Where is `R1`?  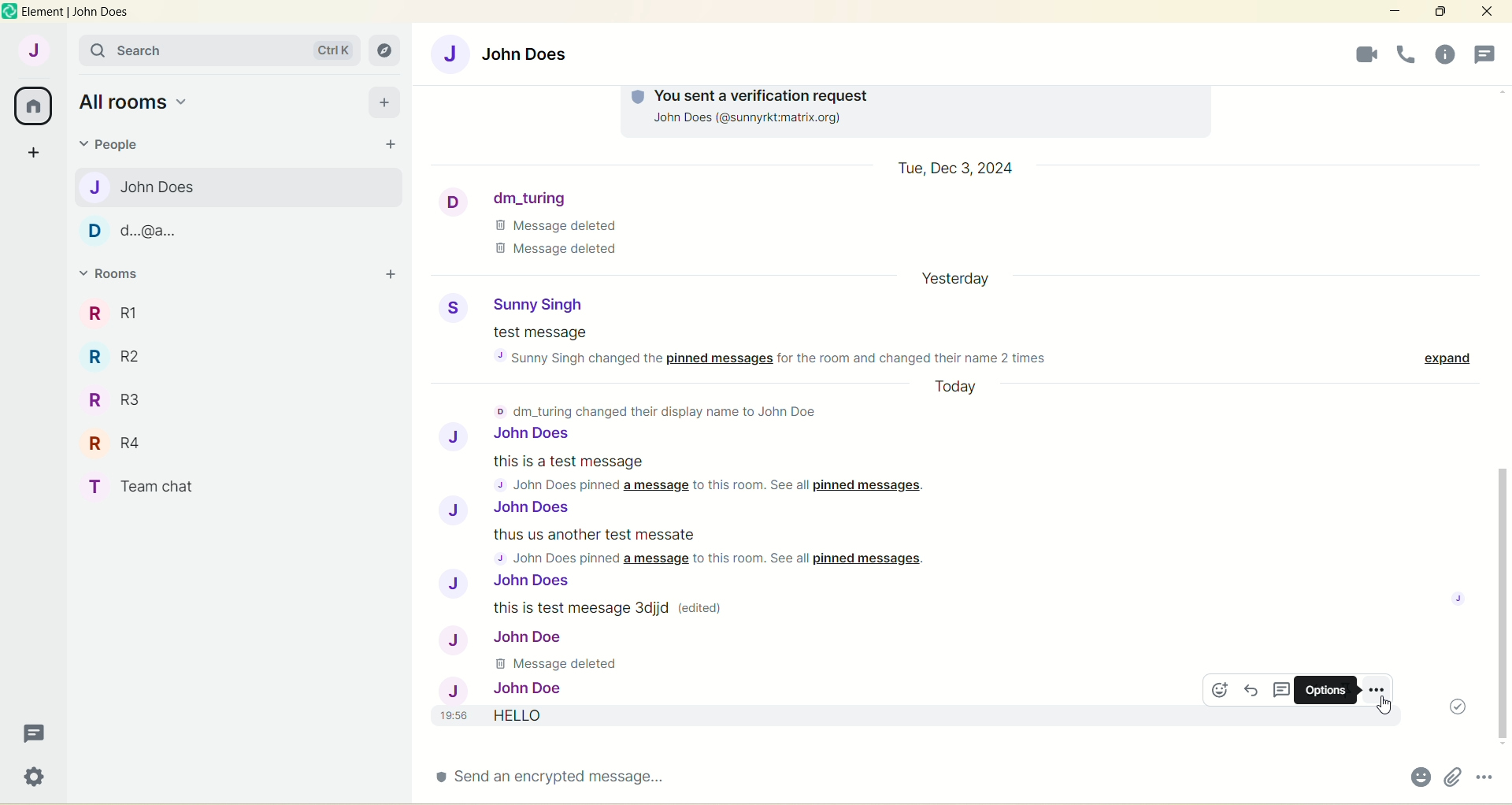
R1 is located at coordinates (136, 308).